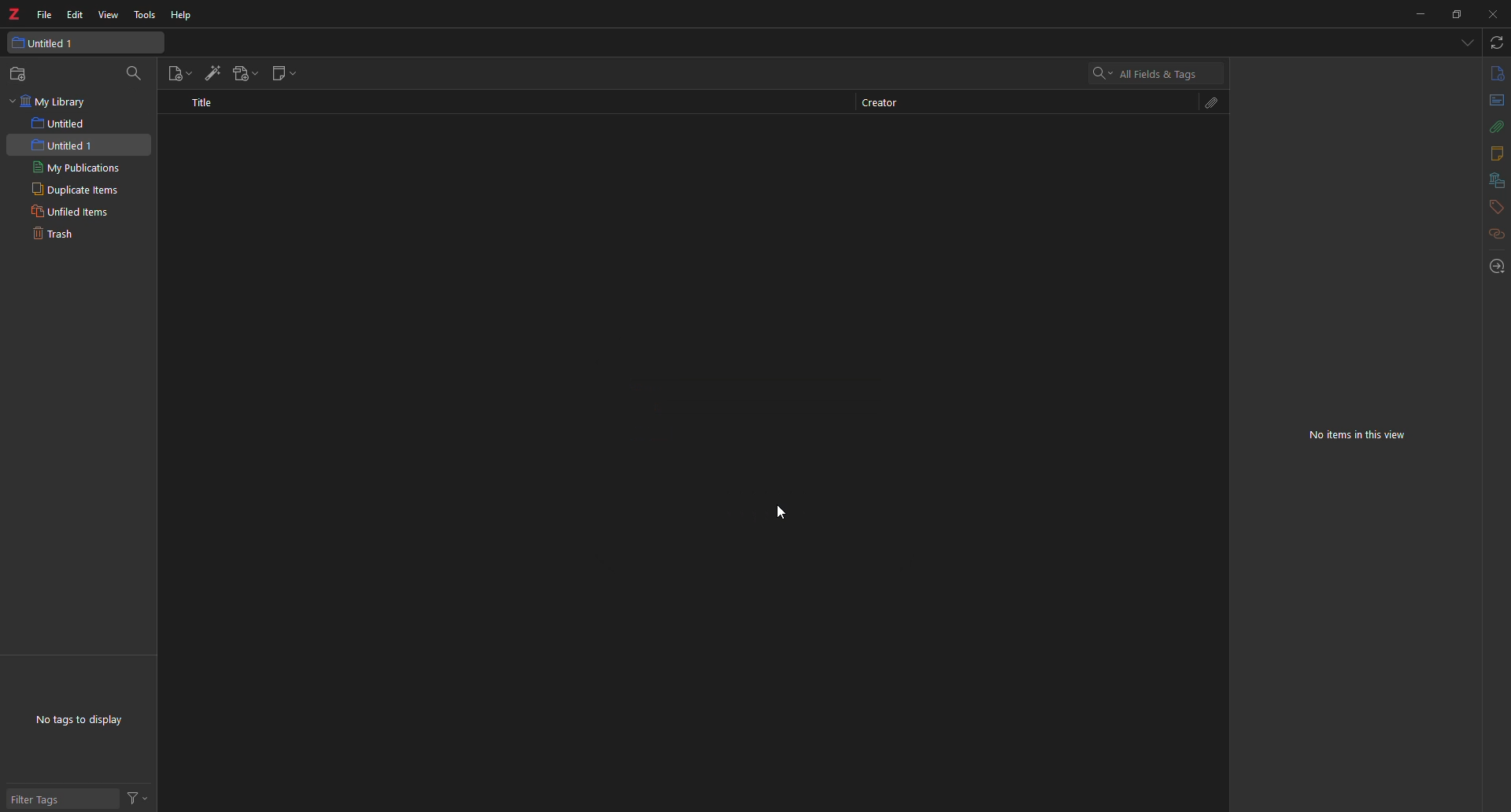  What do you see at coordinates (72, 211) in the screenshot?
I see `Unfiled items` at bounding box center [72, 211].